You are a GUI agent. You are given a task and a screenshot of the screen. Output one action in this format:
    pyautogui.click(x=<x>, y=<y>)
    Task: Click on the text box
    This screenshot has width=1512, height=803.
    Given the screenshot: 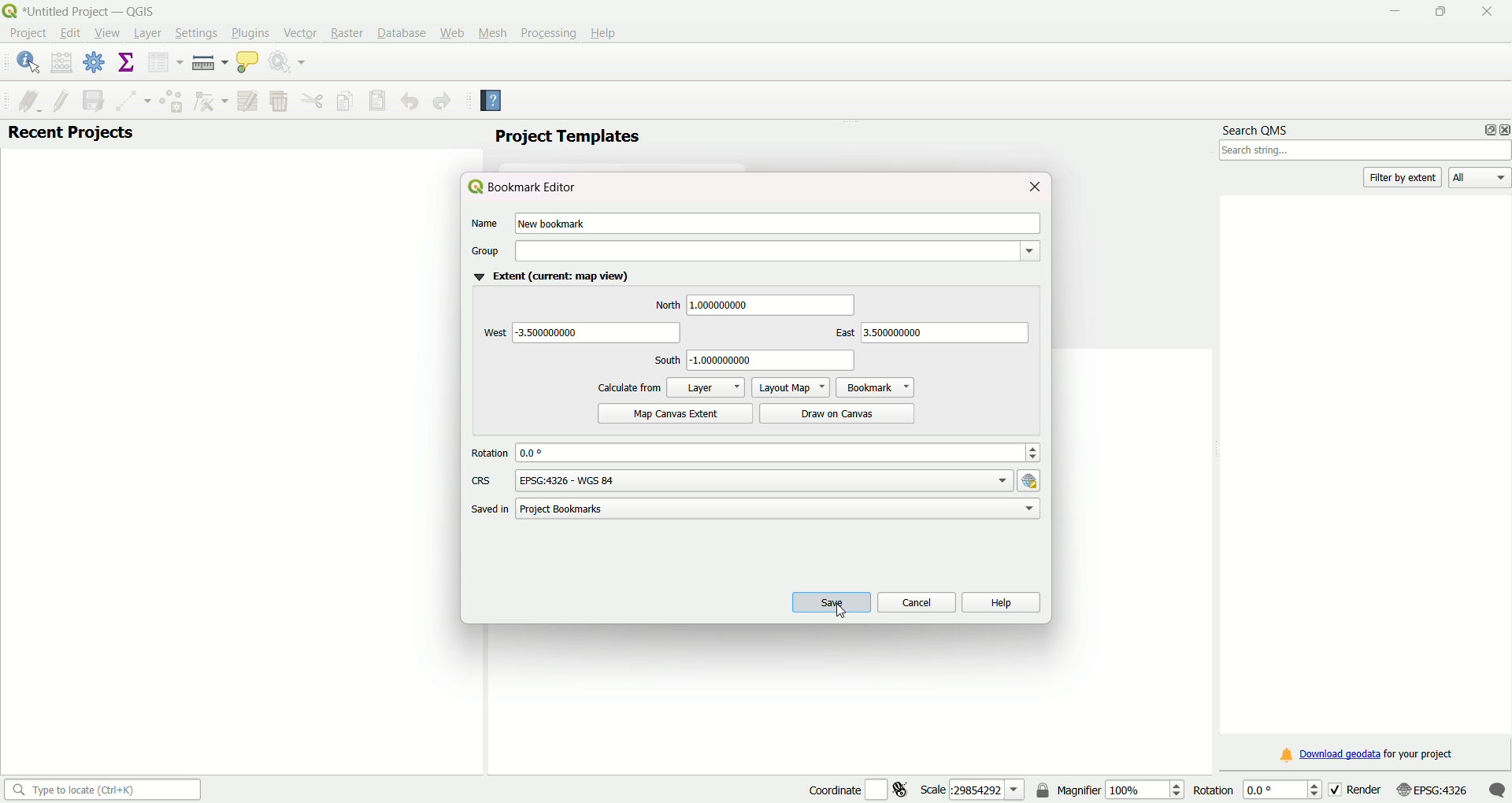 What is the action you would take?
    pyautogui.click(x=781, y=509)
    